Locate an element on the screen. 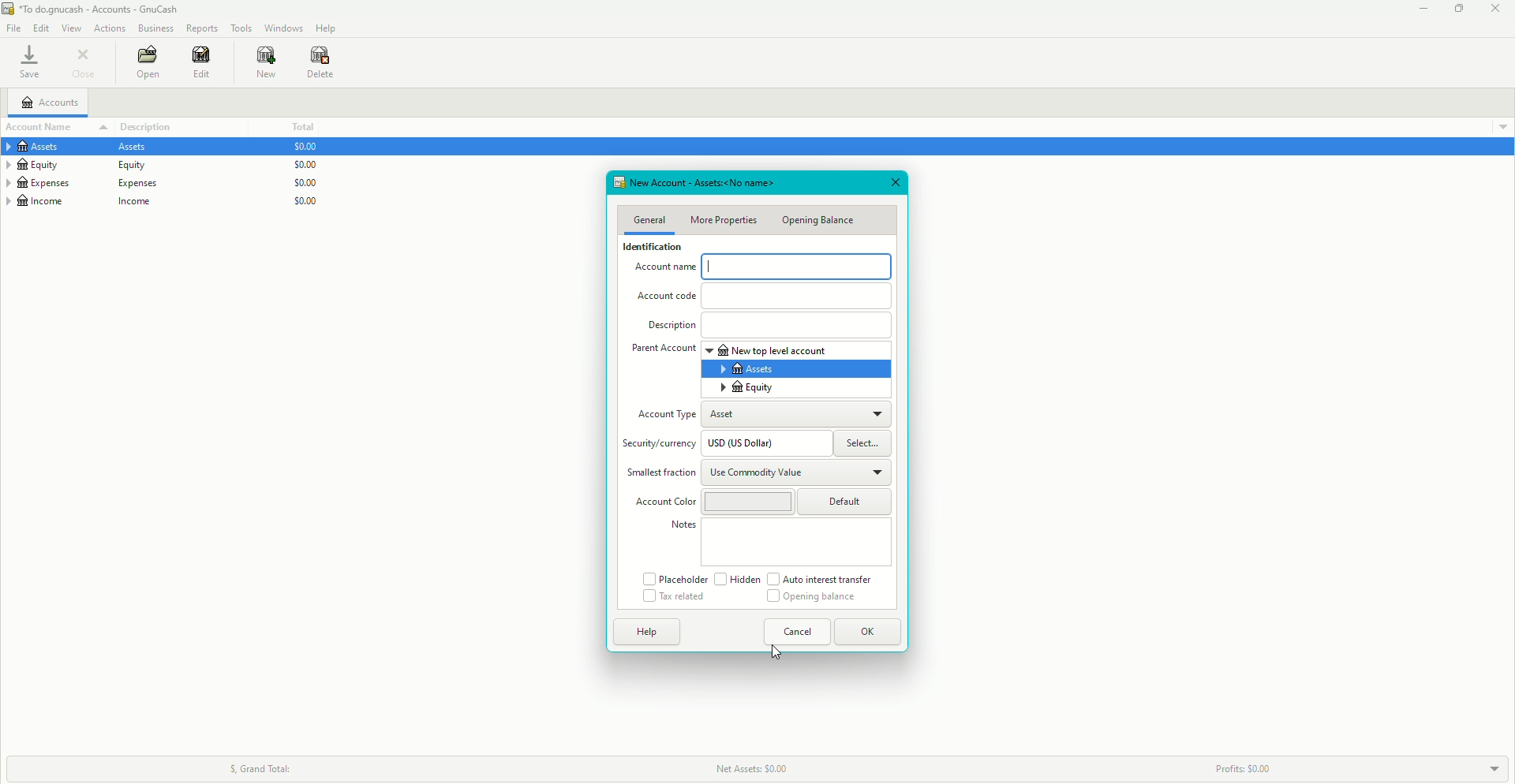 The height and width of the screenshot is (784, 1515). Select is located at coordinates (865, 444).